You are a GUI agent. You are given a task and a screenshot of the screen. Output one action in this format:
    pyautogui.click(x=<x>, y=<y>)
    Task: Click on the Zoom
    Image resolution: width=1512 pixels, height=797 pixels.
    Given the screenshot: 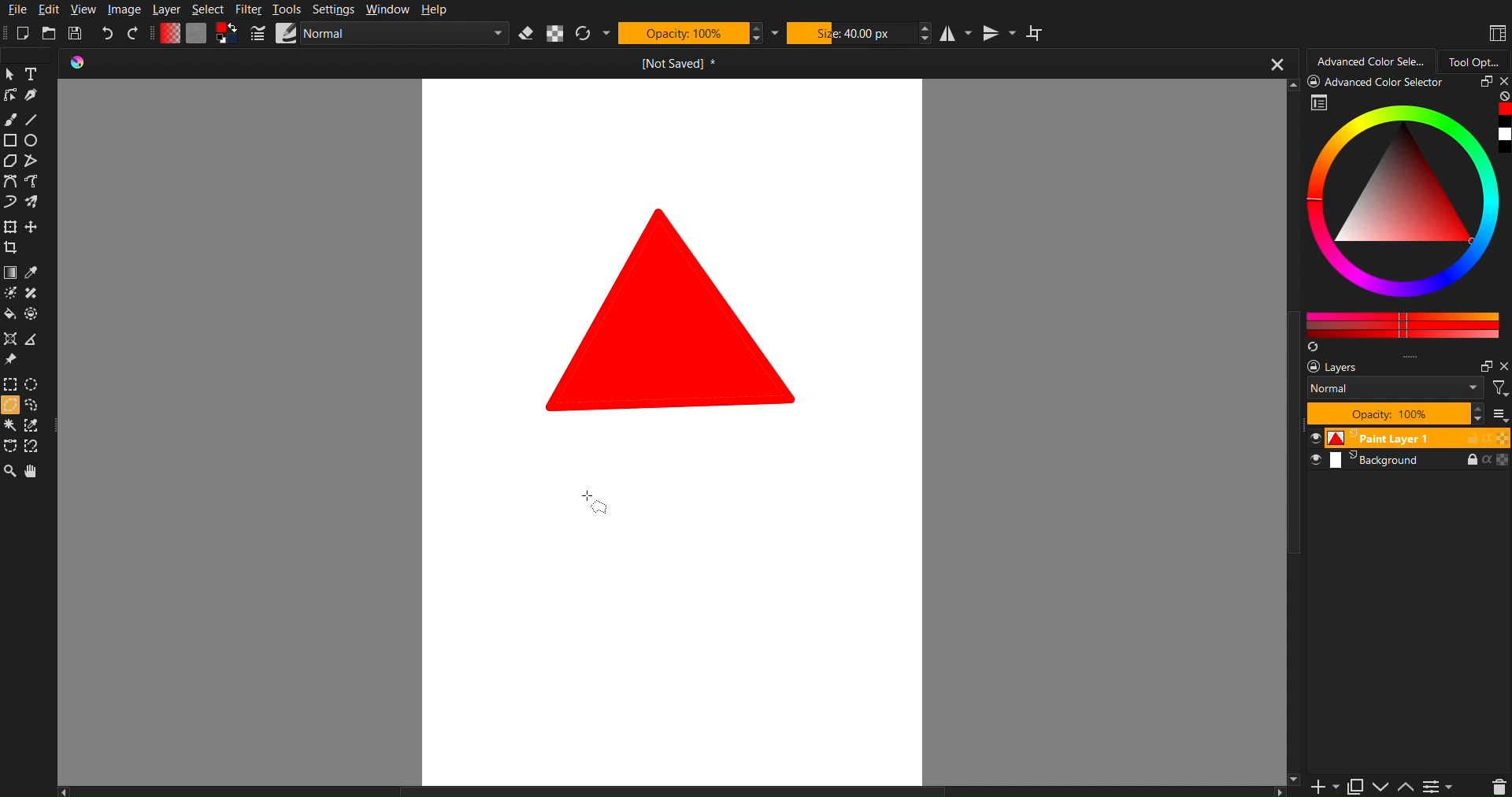 What is the action you would take?
    pyautogui.click(x=11, y=472)
    